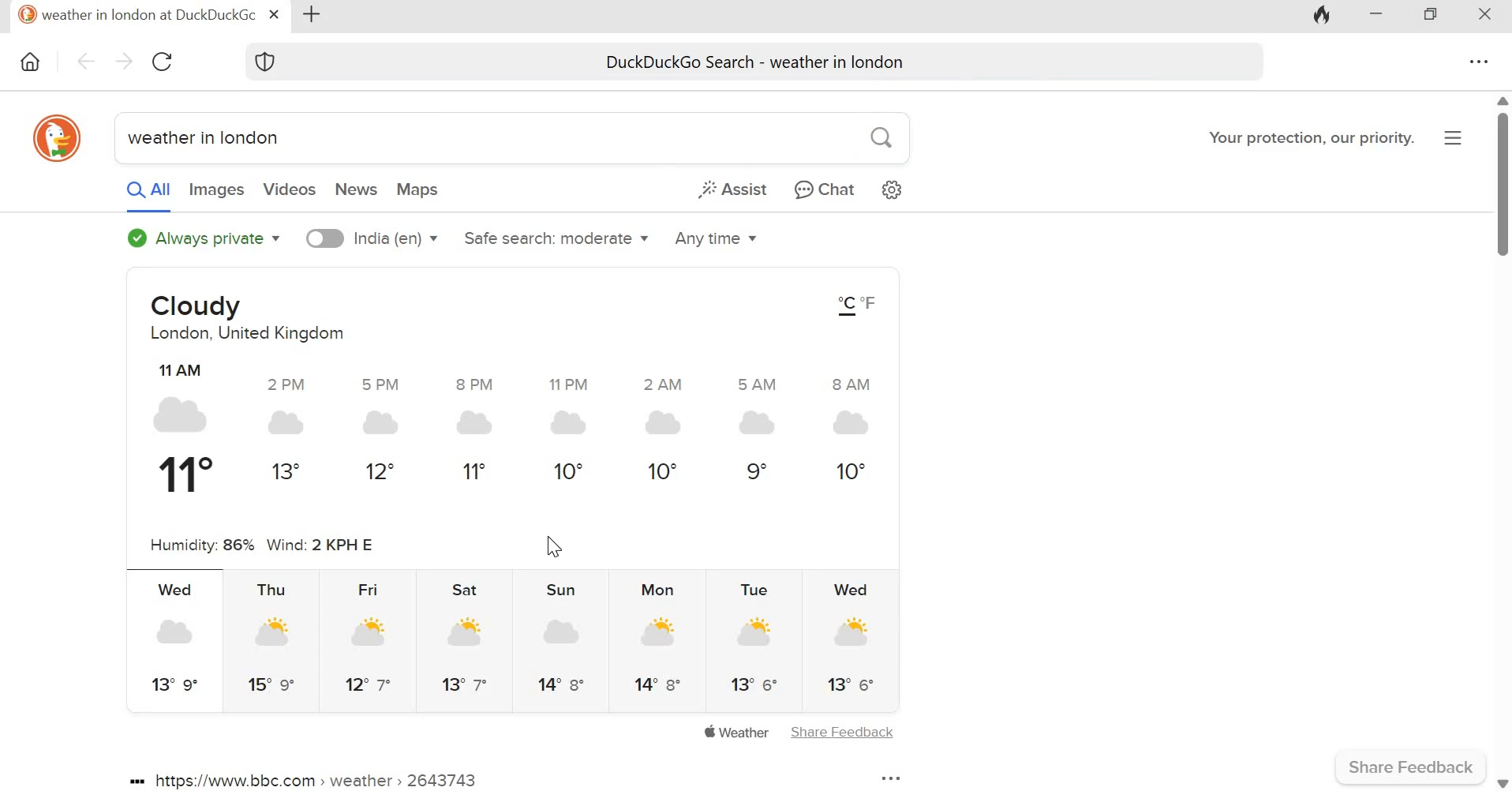 This screenshot has width=1512, height=791. Describe the element at coordinates (562, 632) in the screenshot. I see `Indicates partly sunny` at that location.